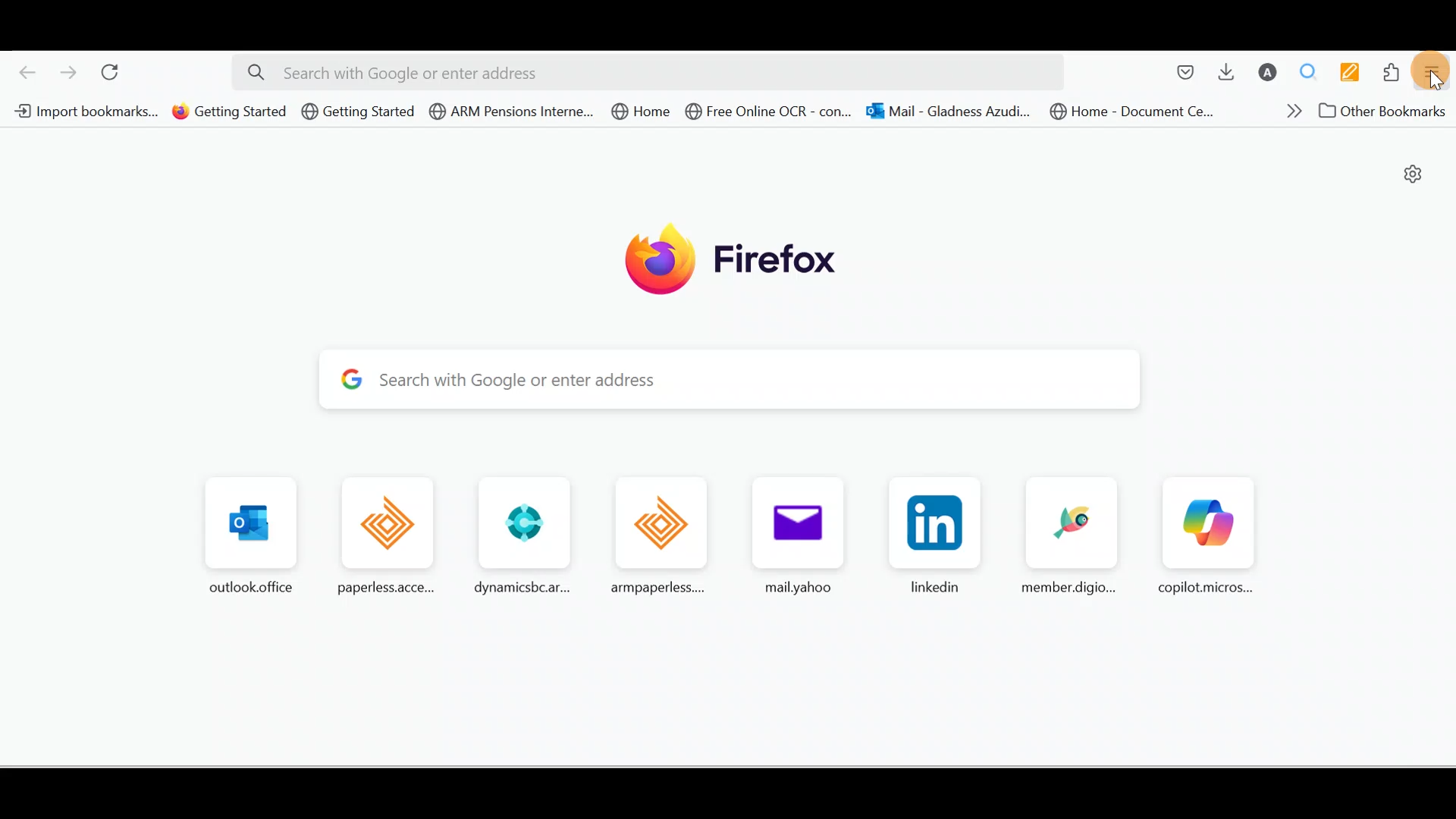 The image size is (1456, 819). Describe the element at coordinates (638, 111) in the screenshot. I see `Bookmark 5` at that location.